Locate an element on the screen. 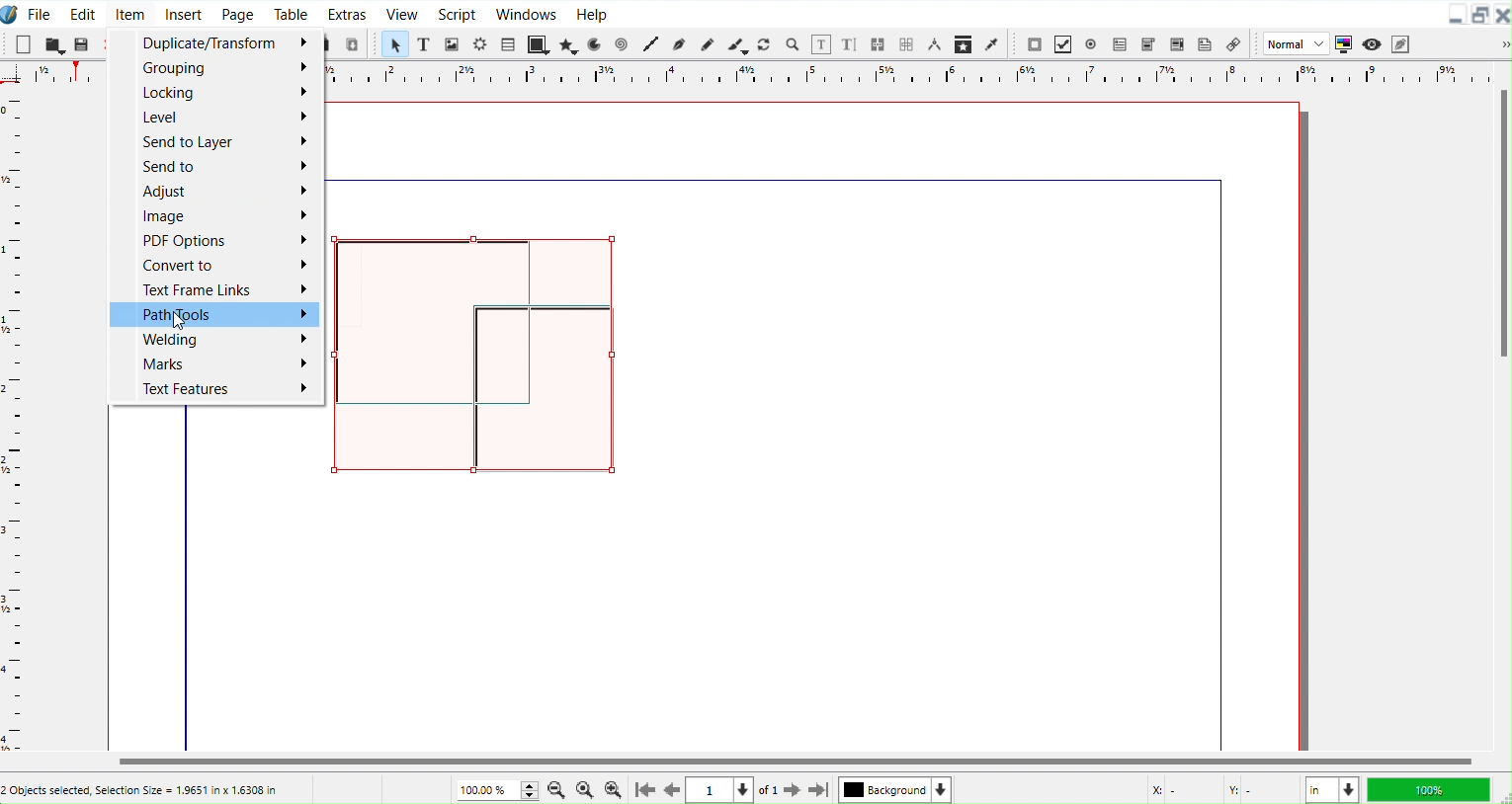 This screenshot has width=1512, height=804. Zoom to 100% is located at coordinates (585, 789).